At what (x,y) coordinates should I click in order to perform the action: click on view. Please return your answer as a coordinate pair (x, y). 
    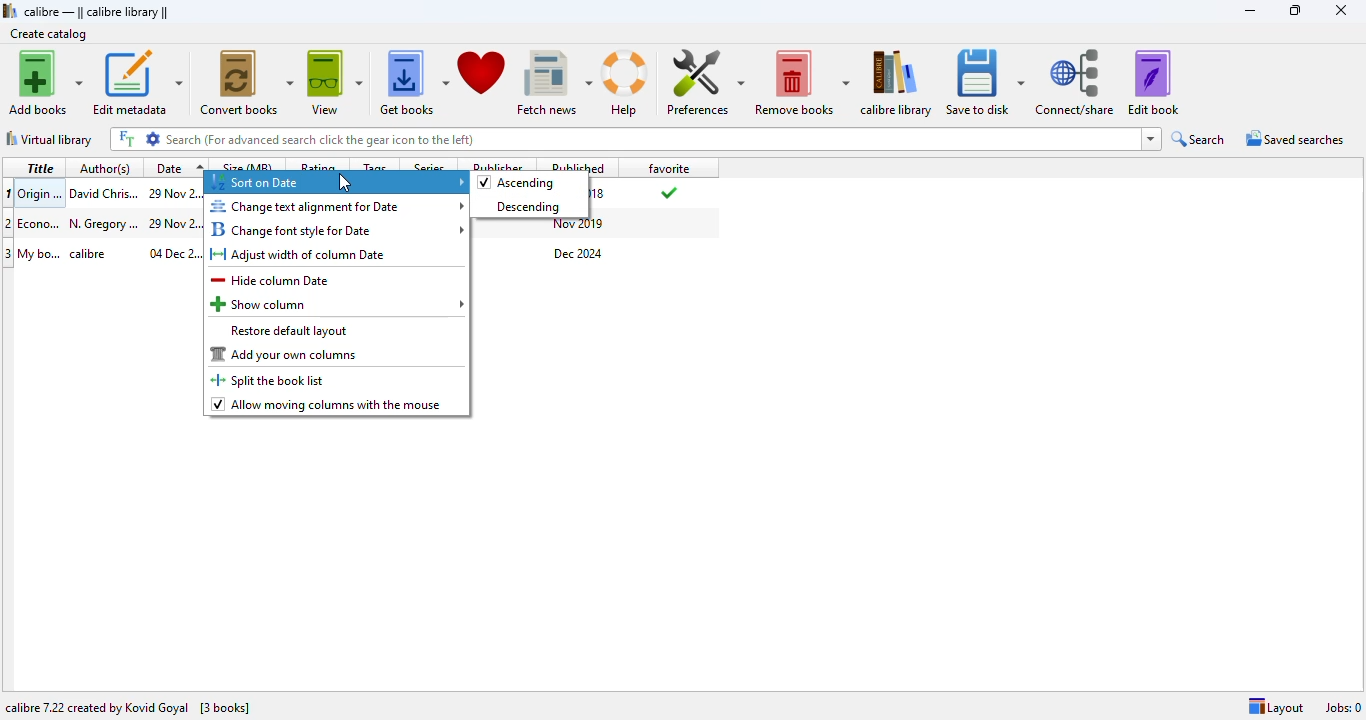
    Looking at the image, I should click on (335, 83).